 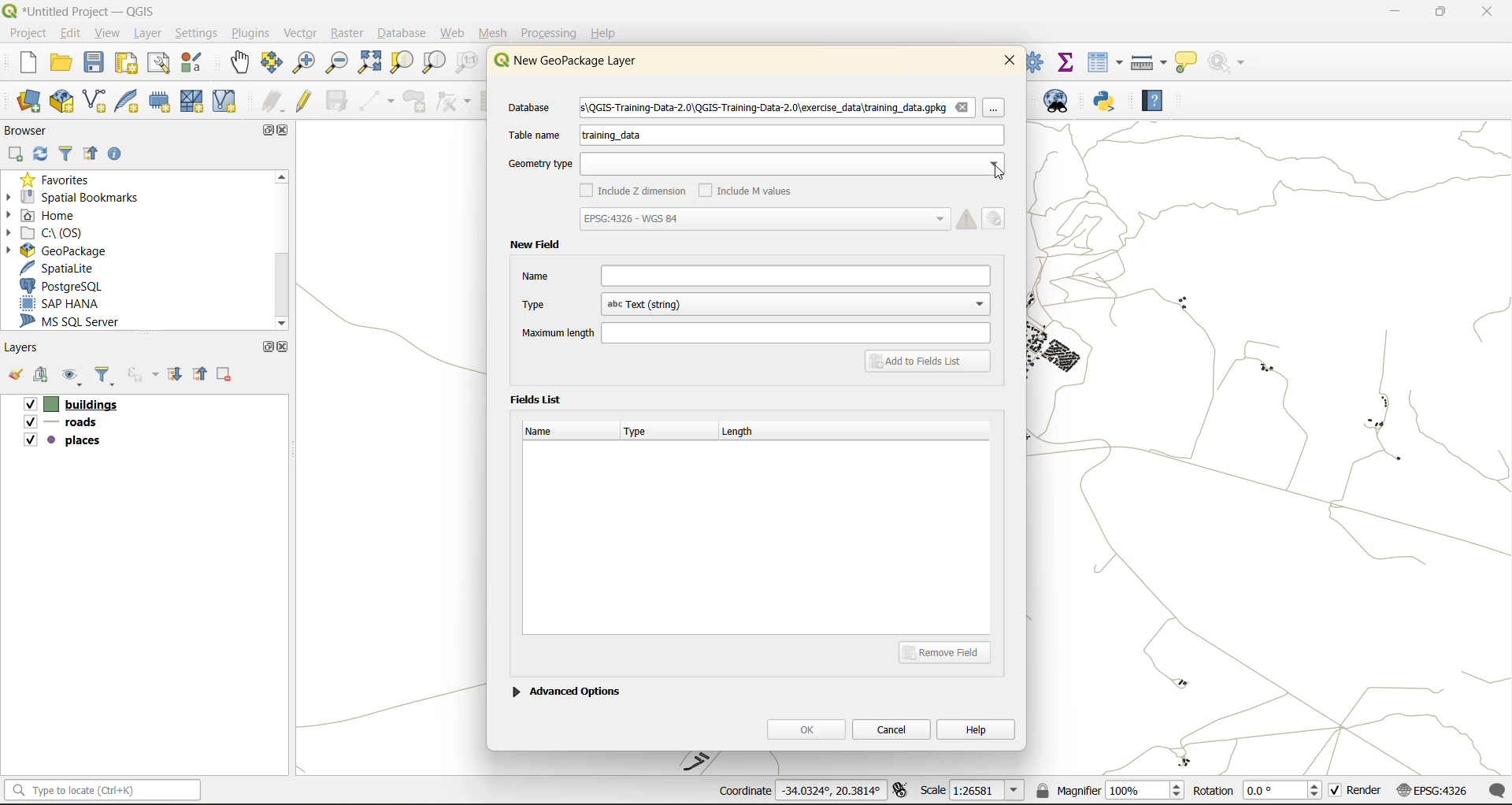 I want to click on scale(1:26581), so click(x=973, y=790).